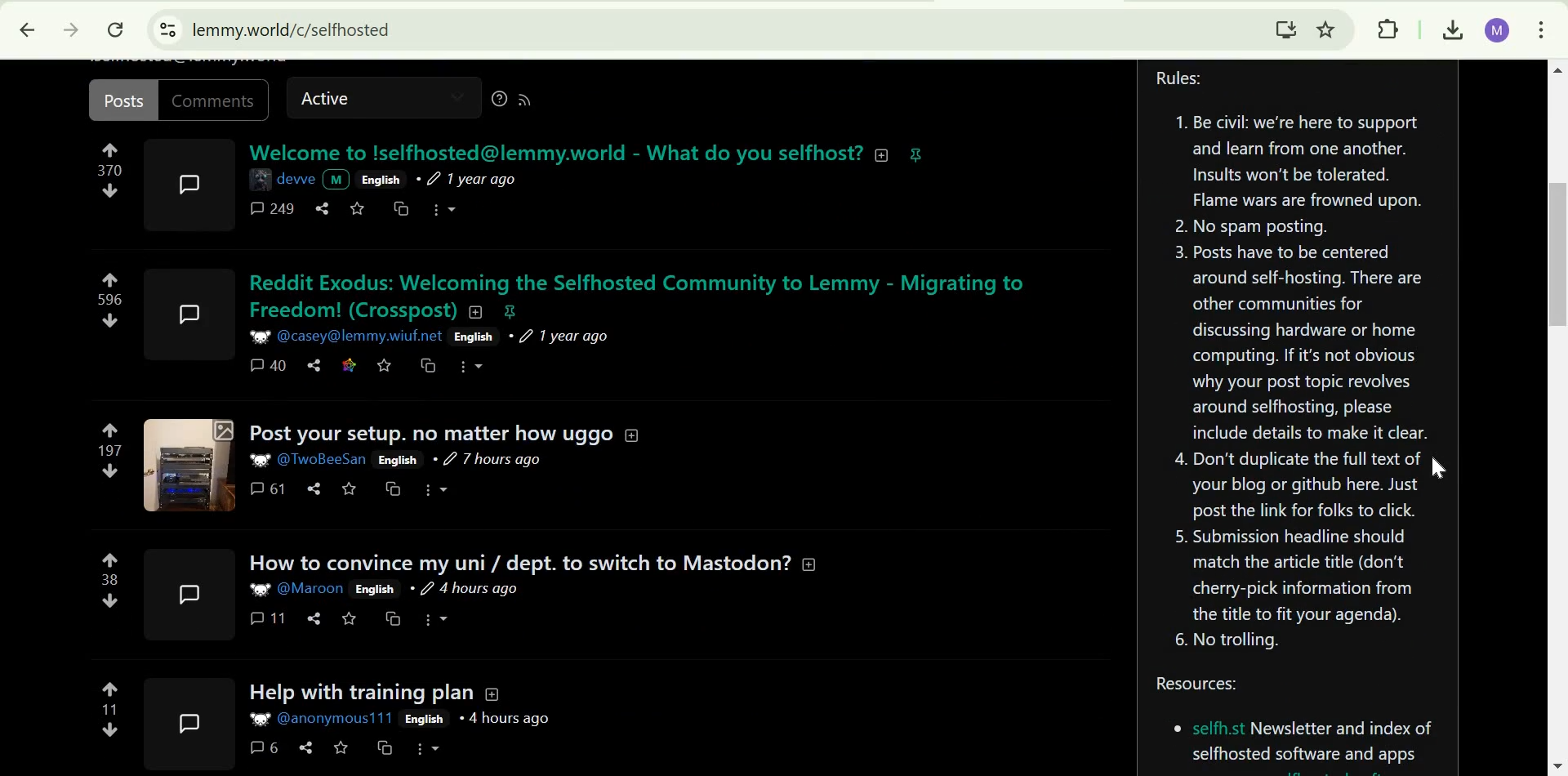 This screenshot has height=776, width=1568. What do you see at coordinates (316, 364) in the screenshot?
I see `share` at bounding box center [316, 364].